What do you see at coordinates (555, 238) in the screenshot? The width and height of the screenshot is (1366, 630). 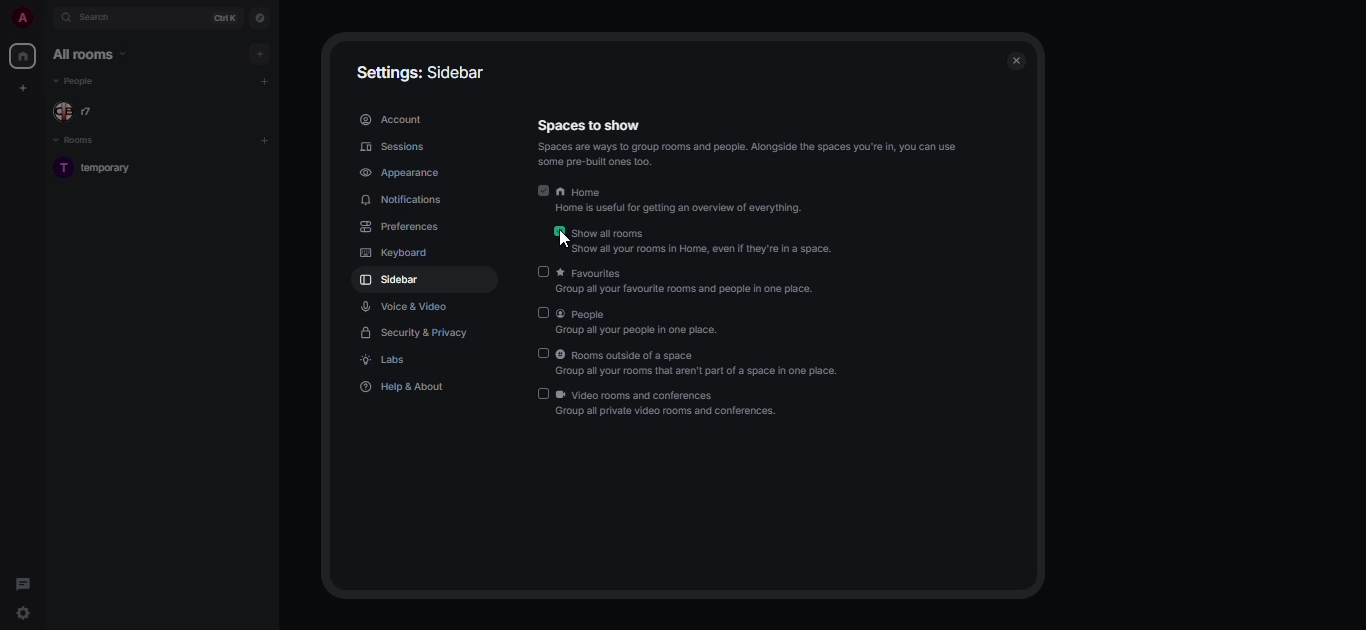 I see `cursor` at bounding box center [555, 238].